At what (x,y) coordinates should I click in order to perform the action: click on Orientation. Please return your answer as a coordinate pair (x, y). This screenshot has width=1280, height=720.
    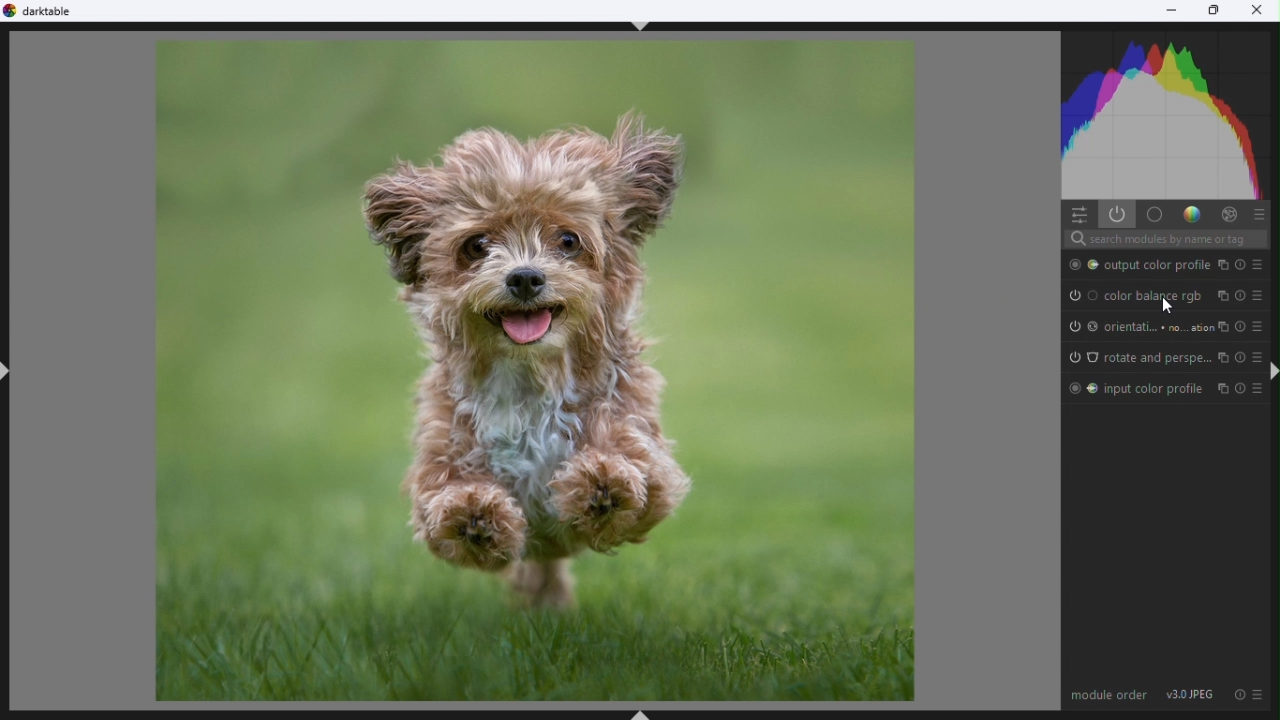
    Looking at the image, I should click on (1164, 327).